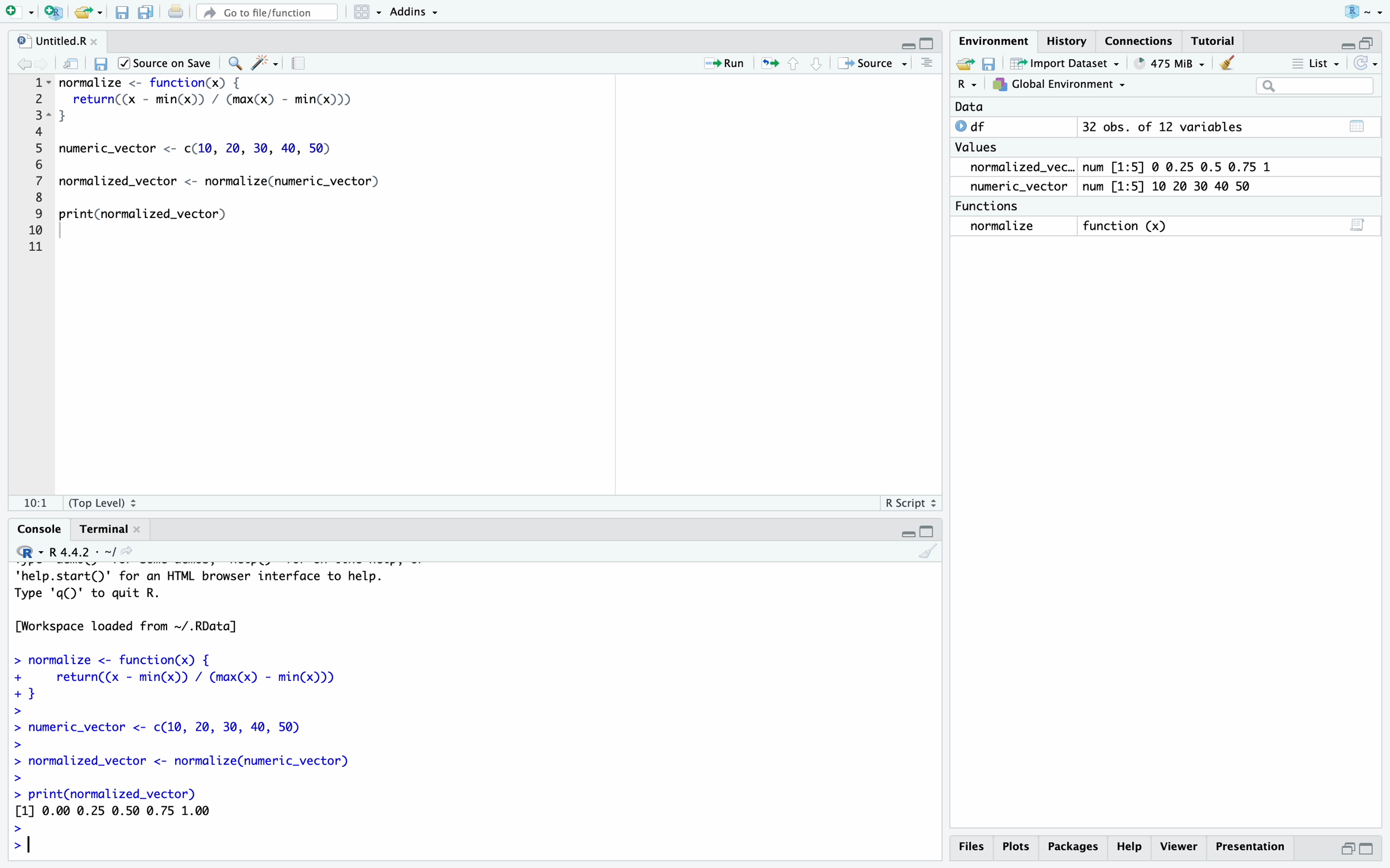 The height and width of the screenshot is (868, 1390). Describe the element at coordinates (1064, 63) in the screenshot. I see `Import Dataset` at that location.